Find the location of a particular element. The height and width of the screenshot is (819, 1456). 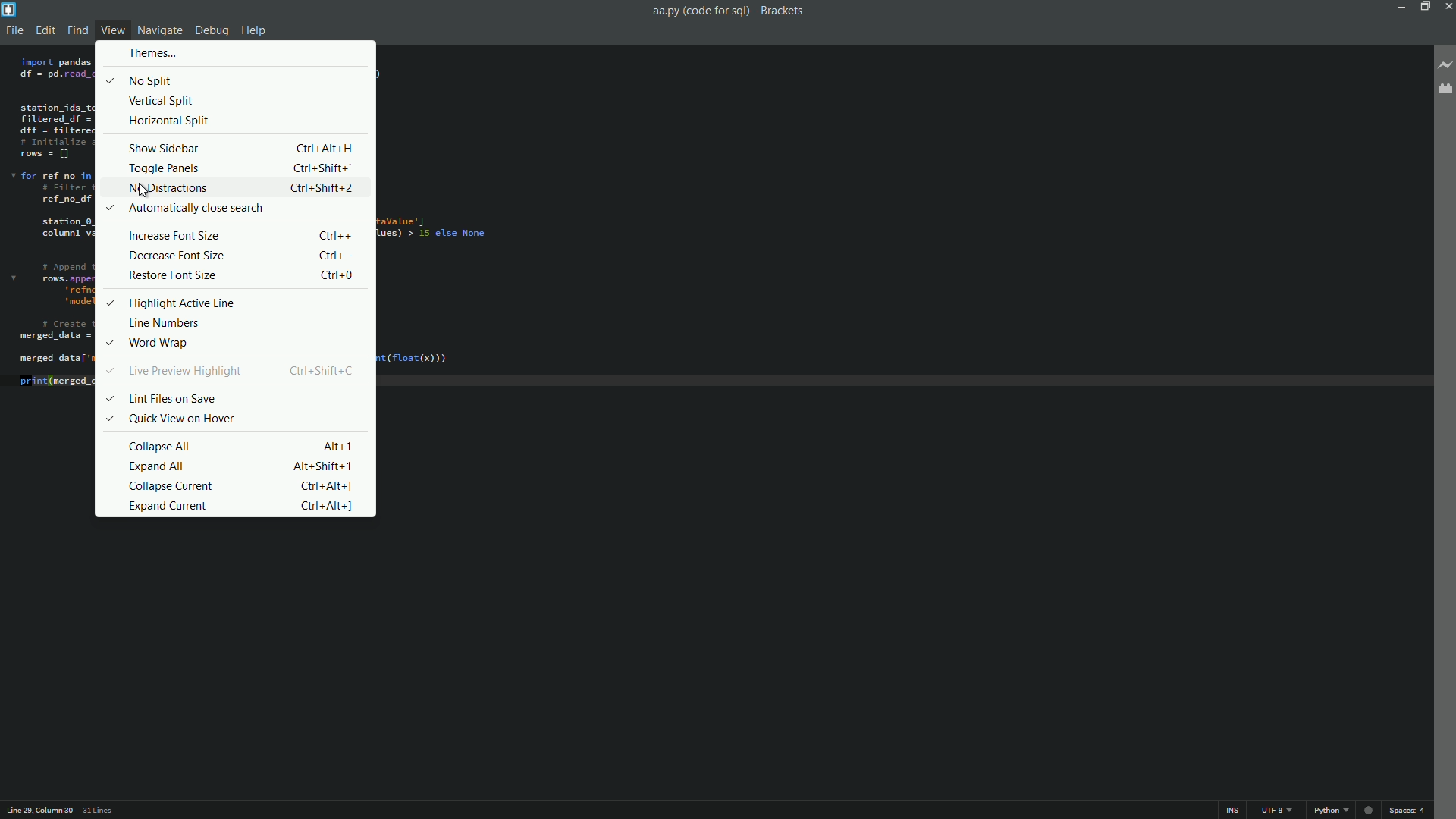

word wrap  is located at coordinates (250, 344).